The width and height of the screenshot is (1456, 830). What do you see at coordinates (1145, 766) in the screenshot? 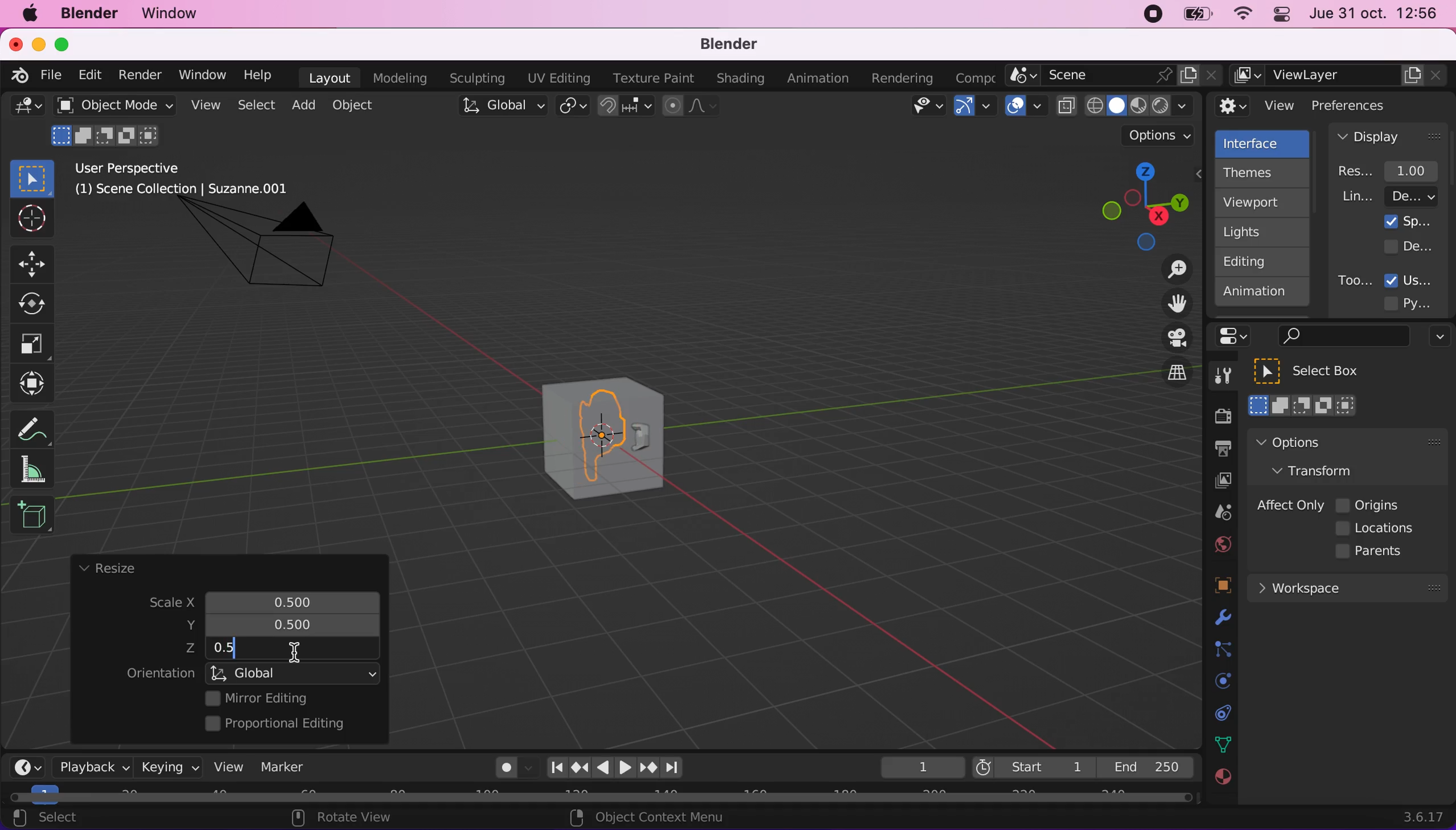
I see `end 250` at bounding box center [1145, 766].